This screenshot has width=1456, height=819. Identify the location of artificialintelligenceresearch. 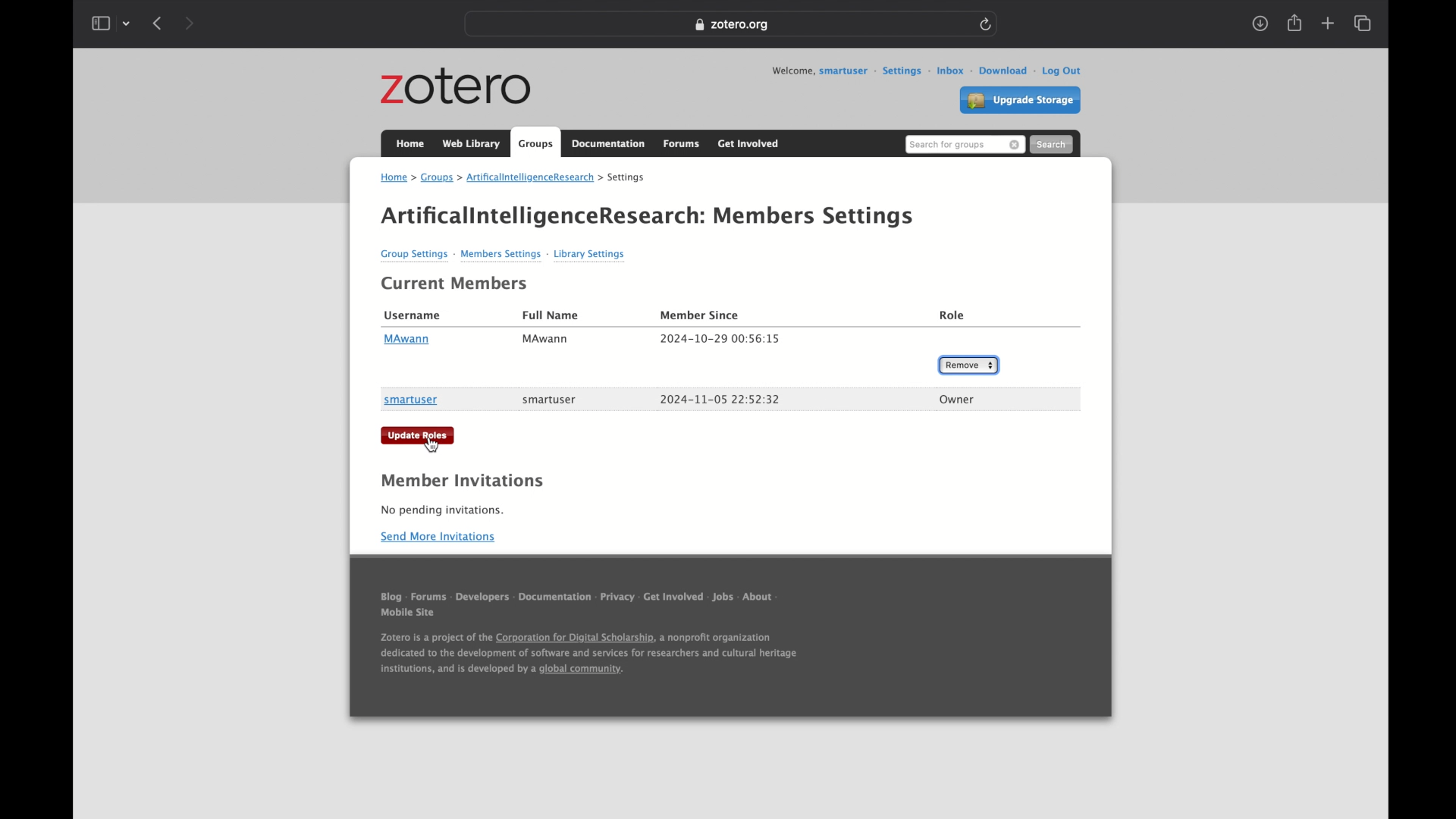
(525, 178).